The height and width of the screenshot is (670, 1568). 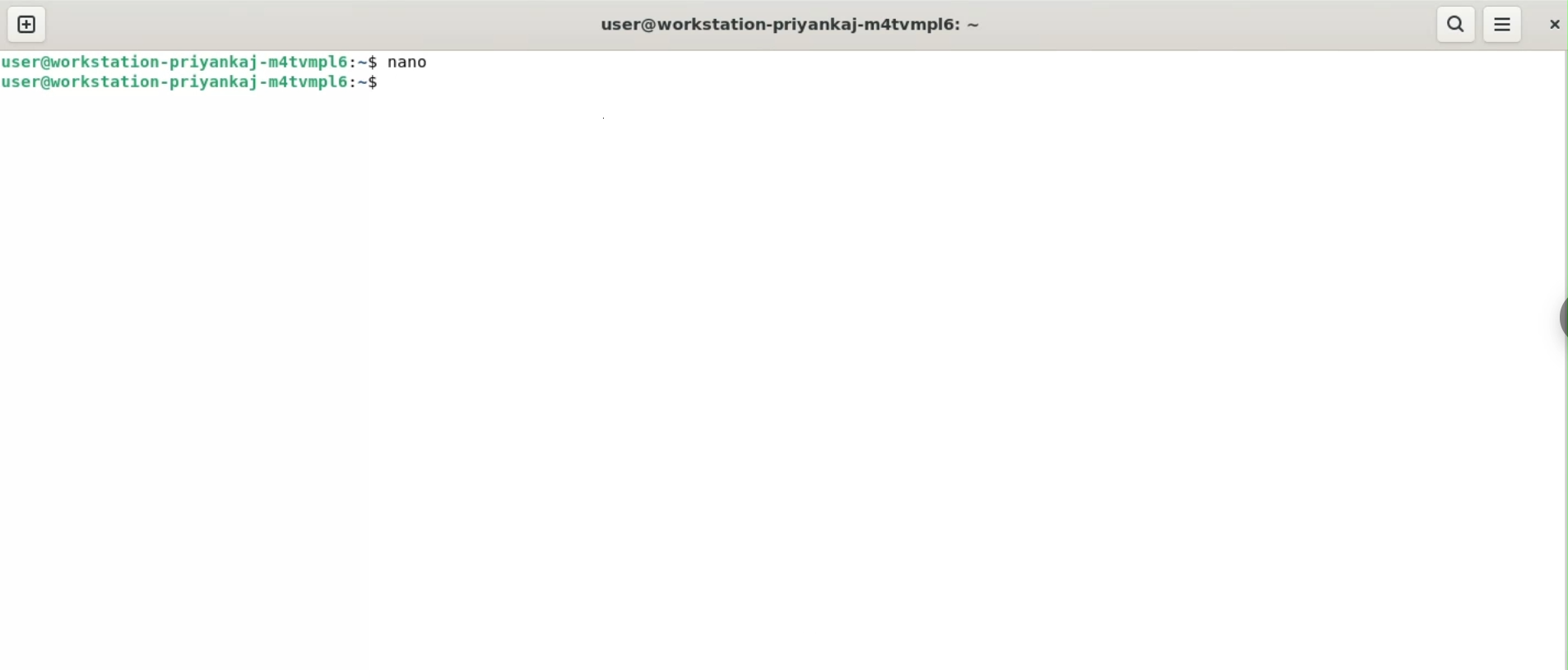 What do you see at coordinates (1549, 25) in the screenshot?
I see `close` at bounding box center [1549, 25].